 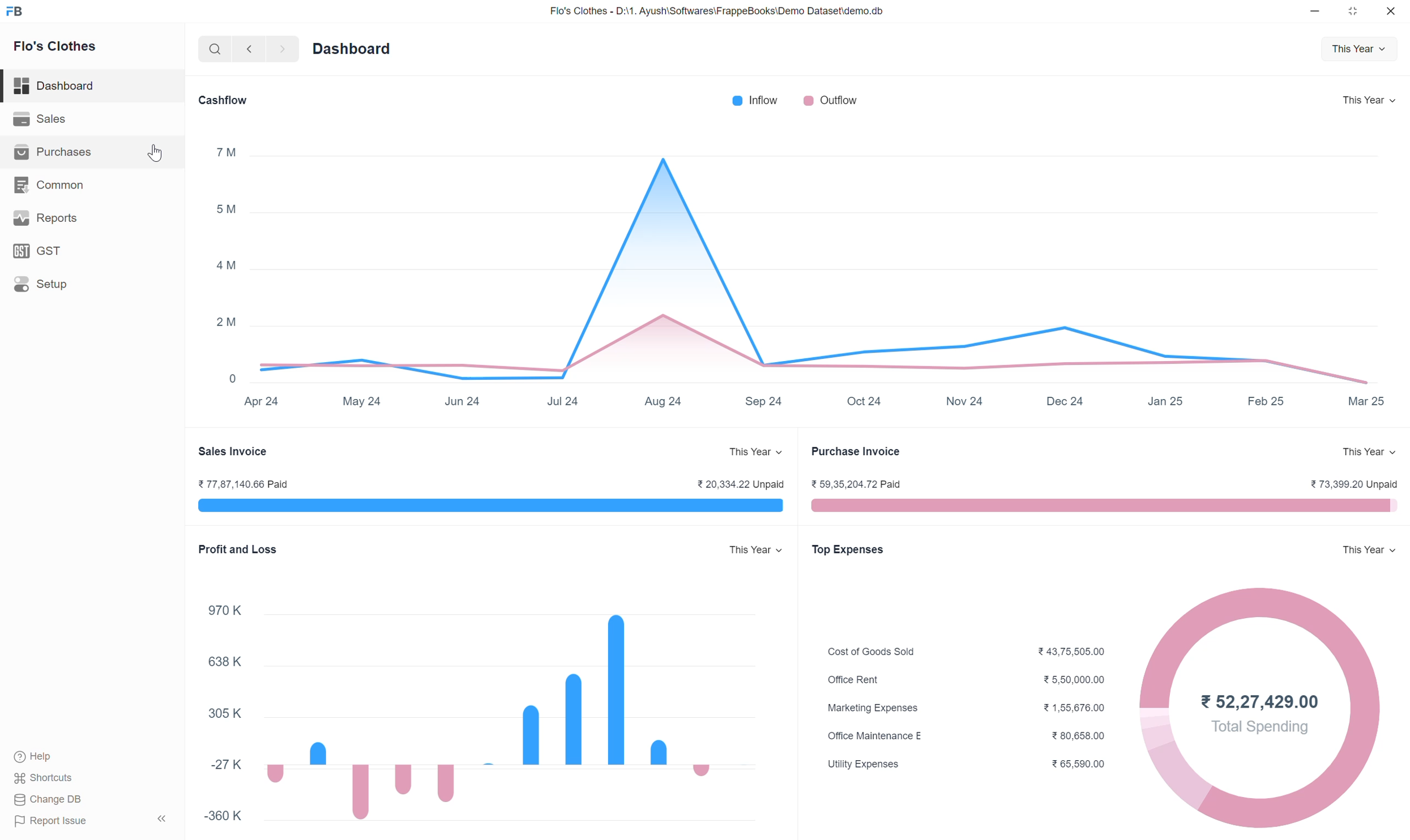 What do you see at coordinates (42, 119) in the screenshot?
I see `Sales` at bounding box center [42, 119].